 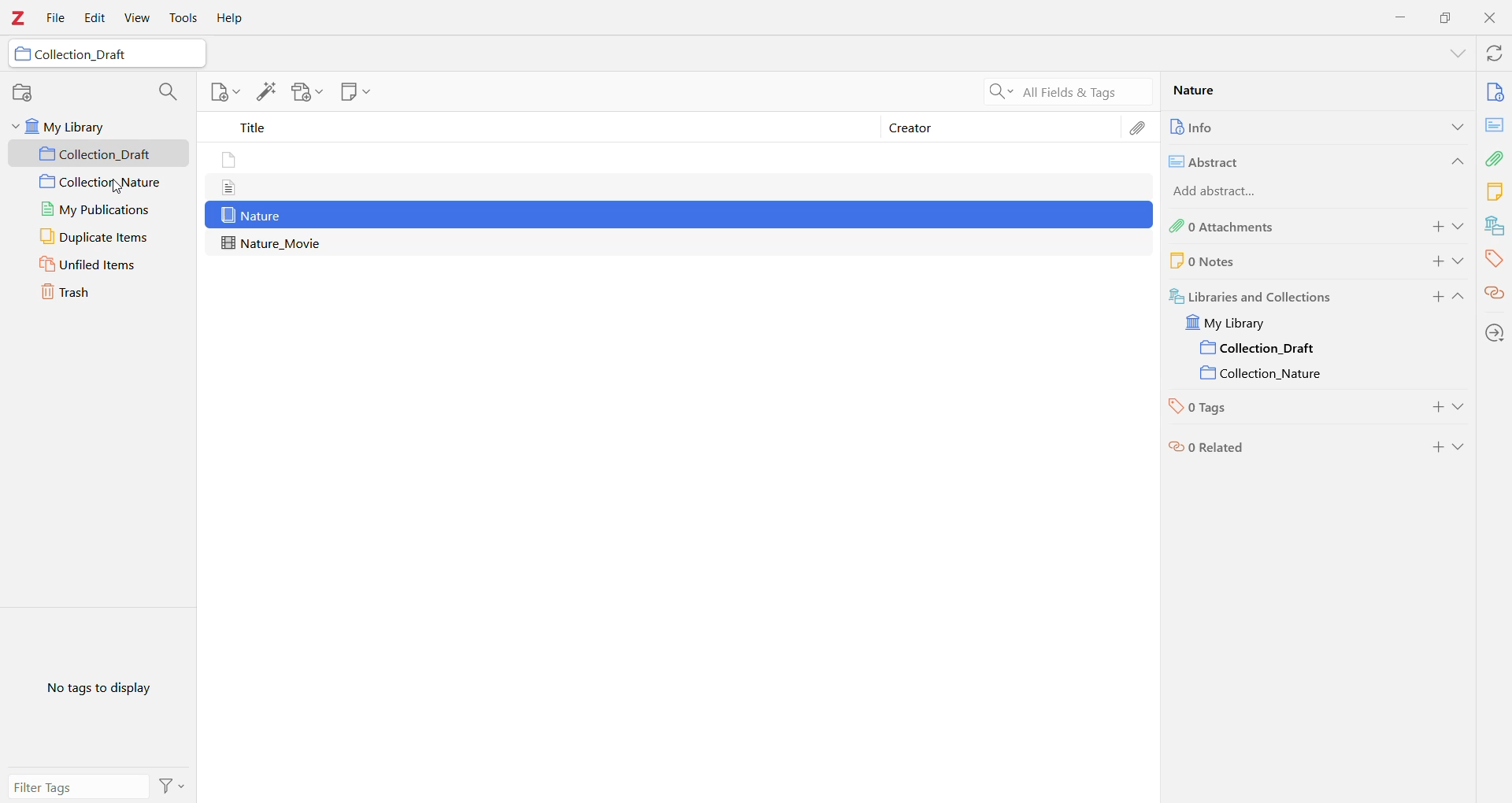 What do you see at coordinates (1494, 258) in the screenshot?
I see `Tags` at bounding box center [1494, 258].